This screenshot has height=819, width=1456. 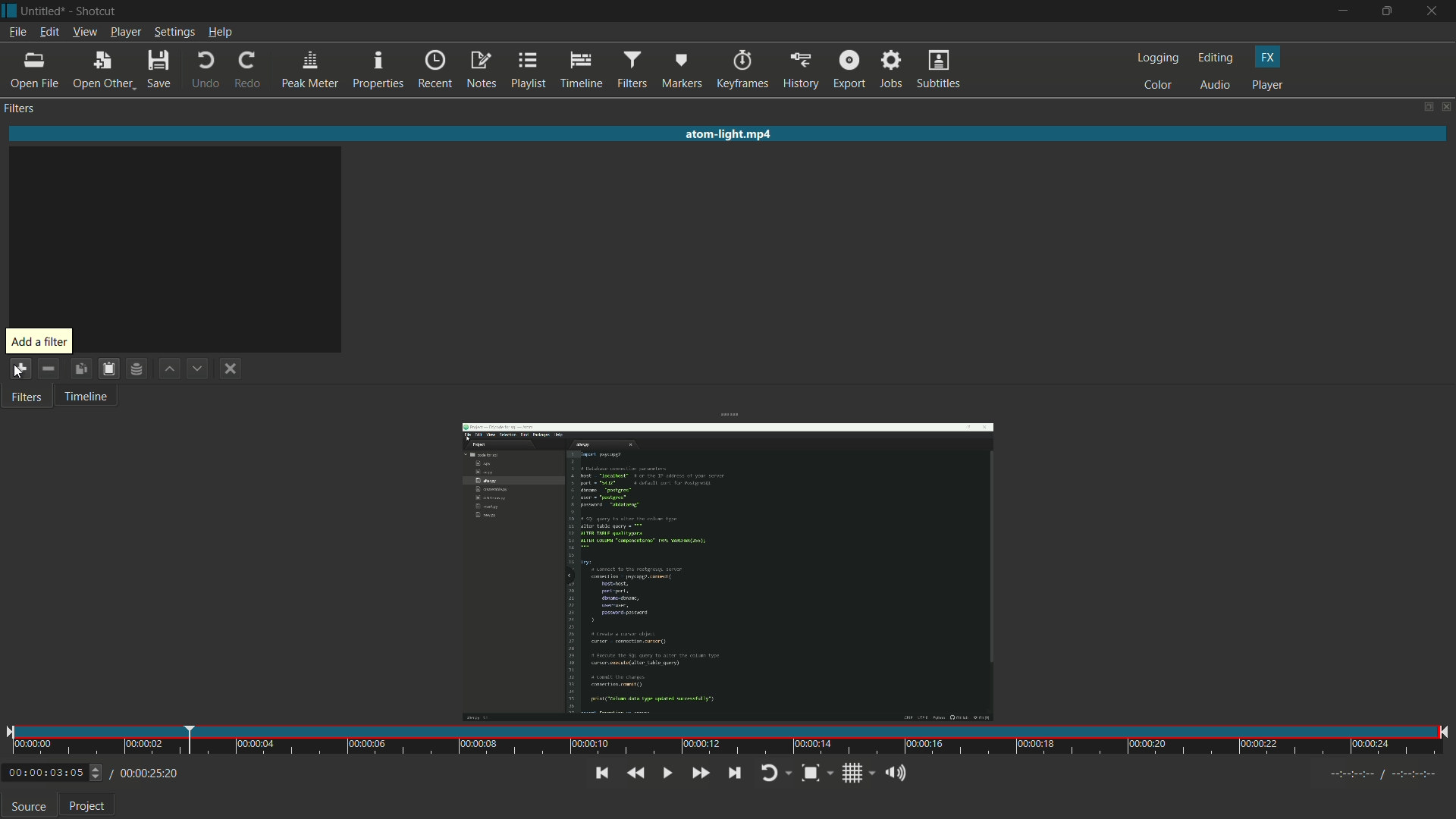 What do you see at coordinates (727, 741) in the screenshot?
I see `time tracker` at bounding box center [727, 741].